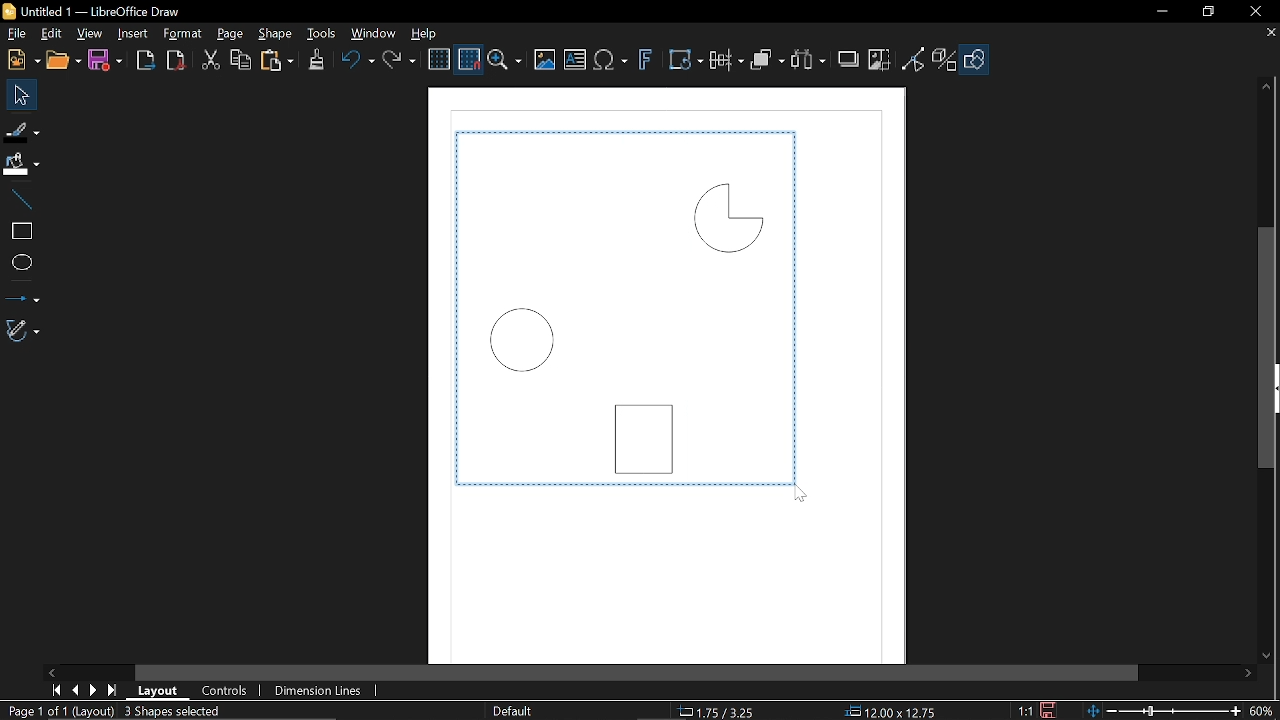 The image size is (1280, 720). Describe the element at coordinates (315, 60) in the screenshot. I see `Clone` at that location.